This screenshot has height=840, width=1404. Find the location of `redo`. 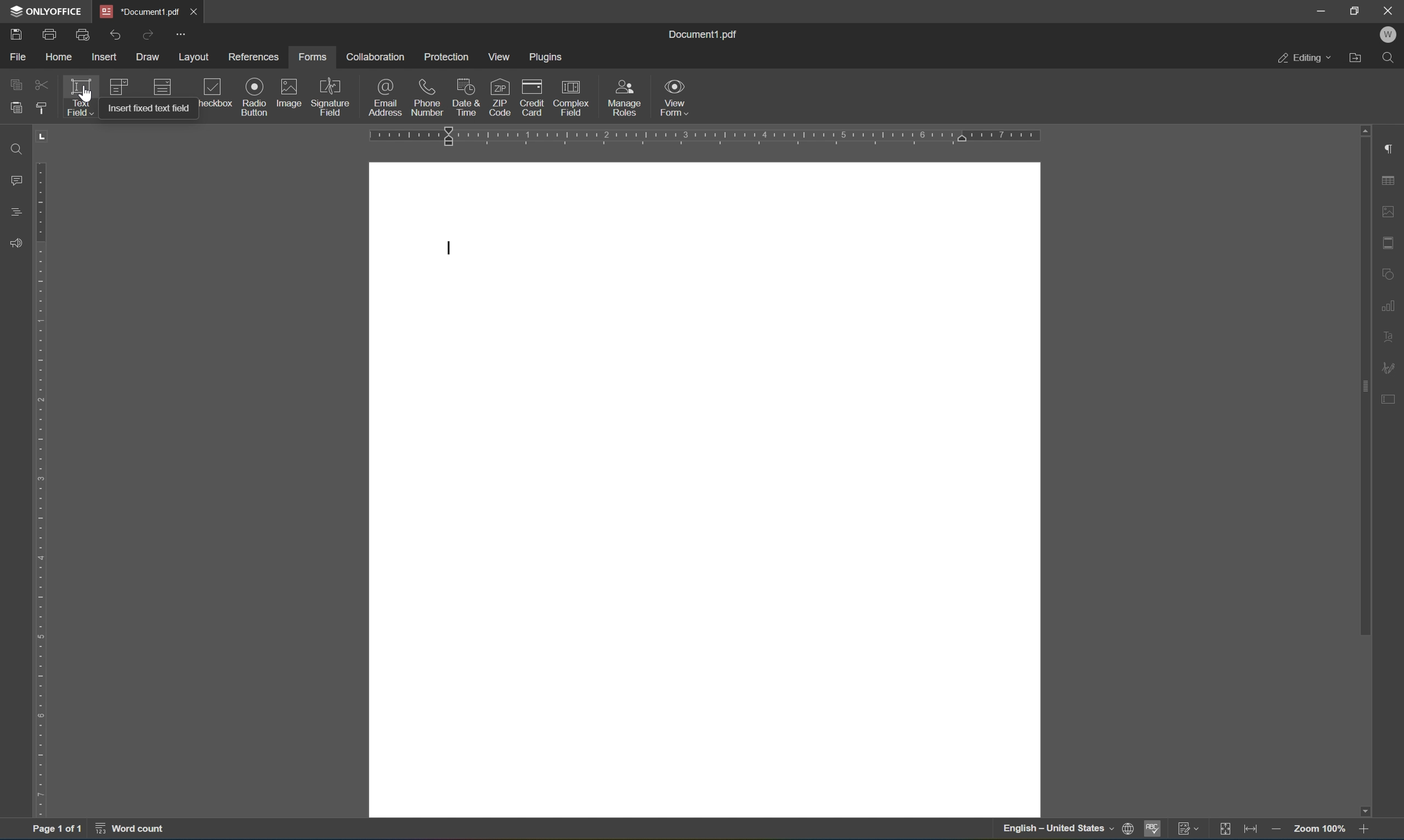

redo is located at coordinates (150, 35).